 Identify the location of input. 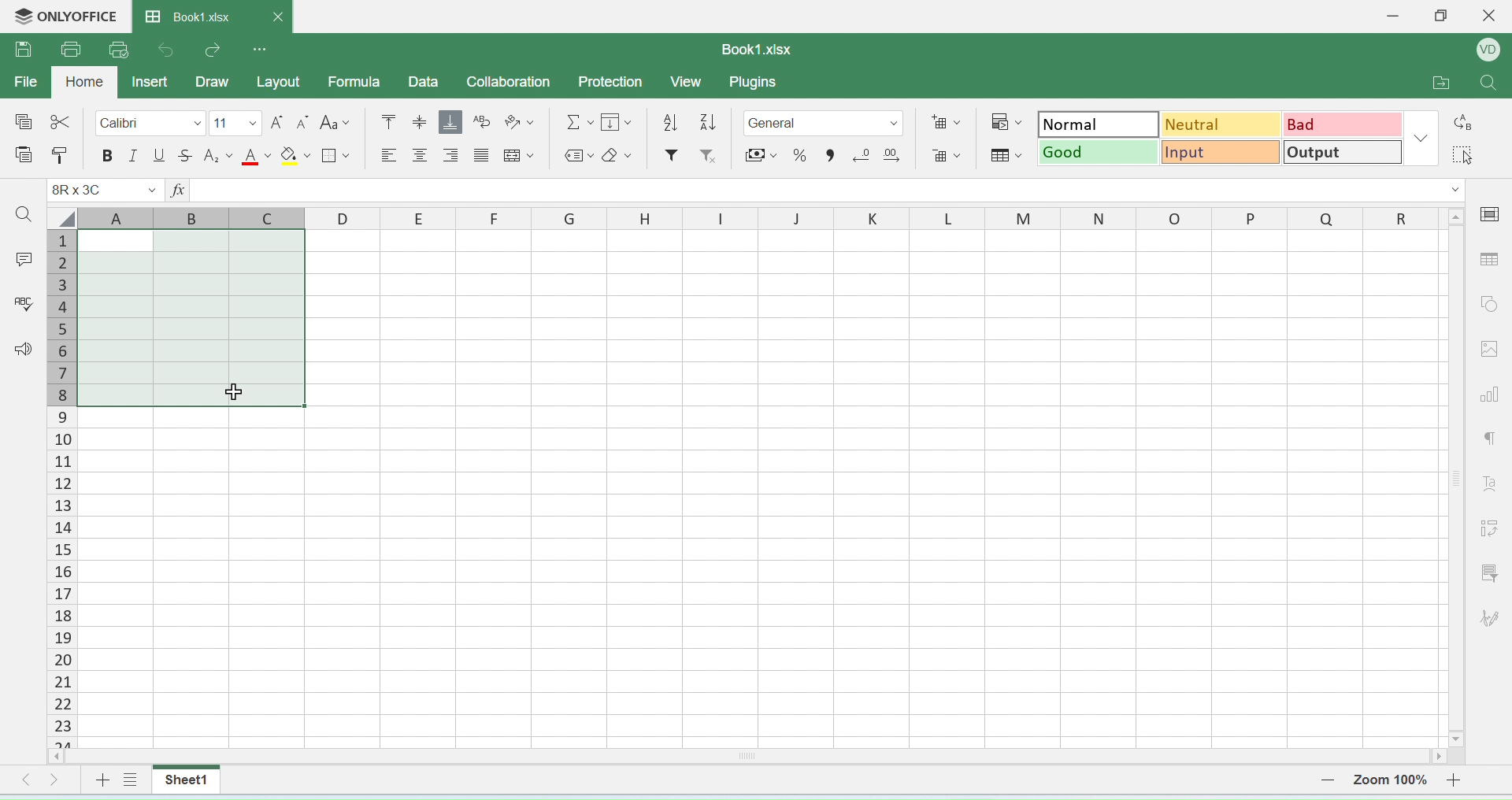
(1218, 151).